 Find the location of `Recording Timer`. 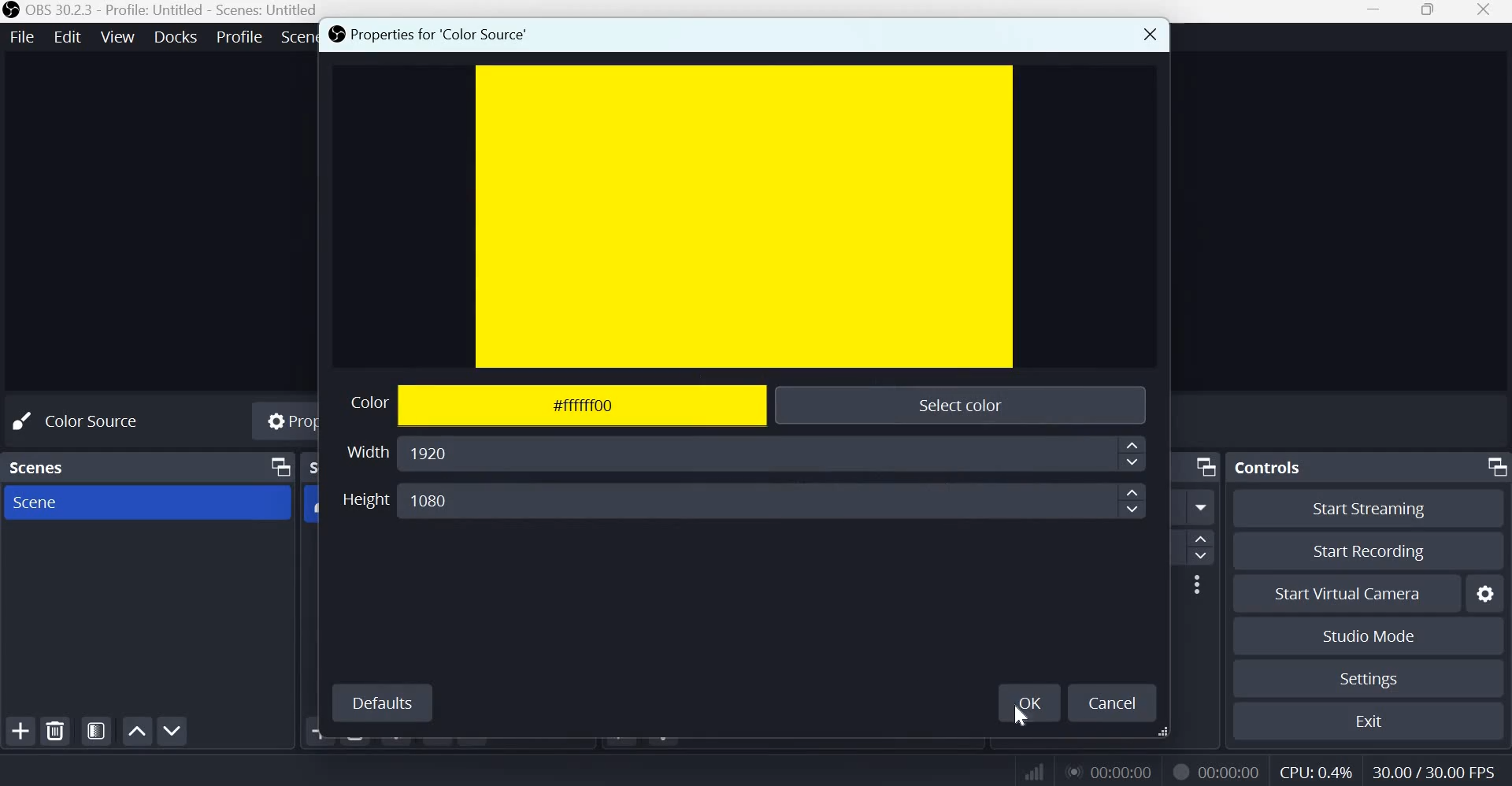

Recording Timer is located at coordinates (1231, 771).